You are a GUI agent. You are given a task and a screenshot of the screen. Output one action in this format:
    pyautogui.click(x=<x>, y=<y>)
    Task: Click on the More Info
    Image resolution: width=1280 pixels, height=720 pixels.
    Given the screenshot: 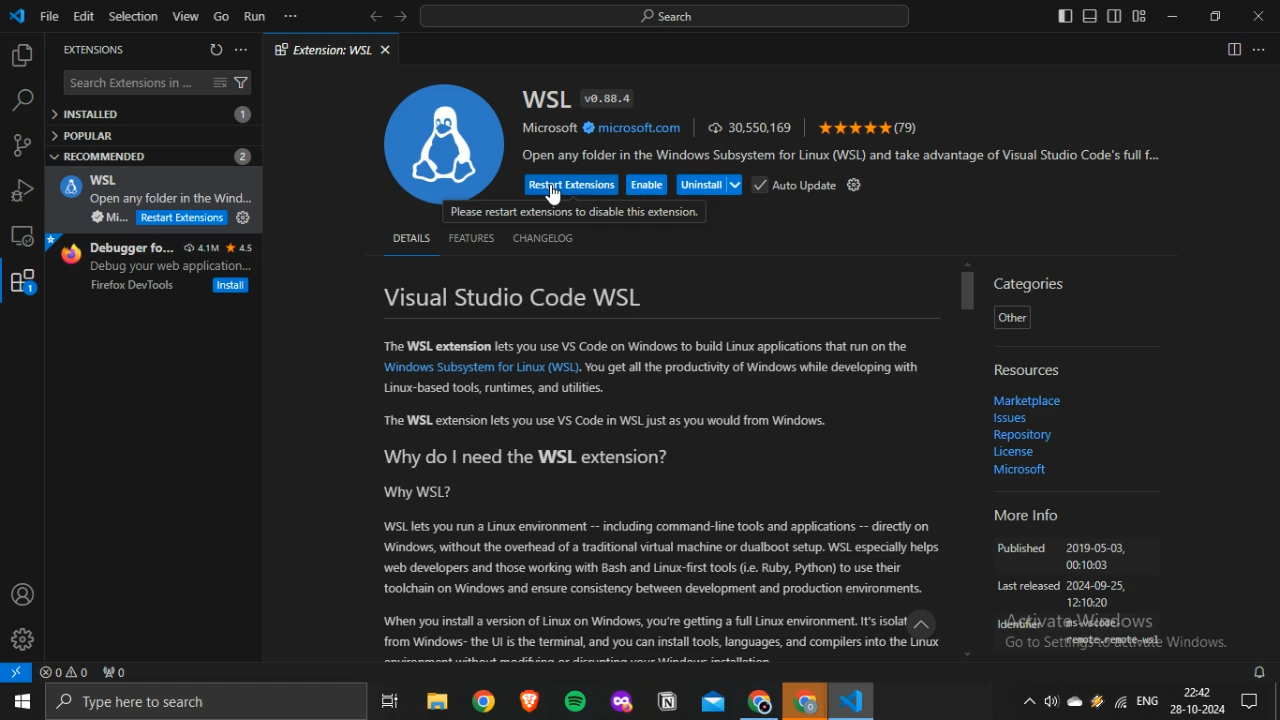 What is the action you would take?
    pyautogui.click(x=1025, y=518)
    